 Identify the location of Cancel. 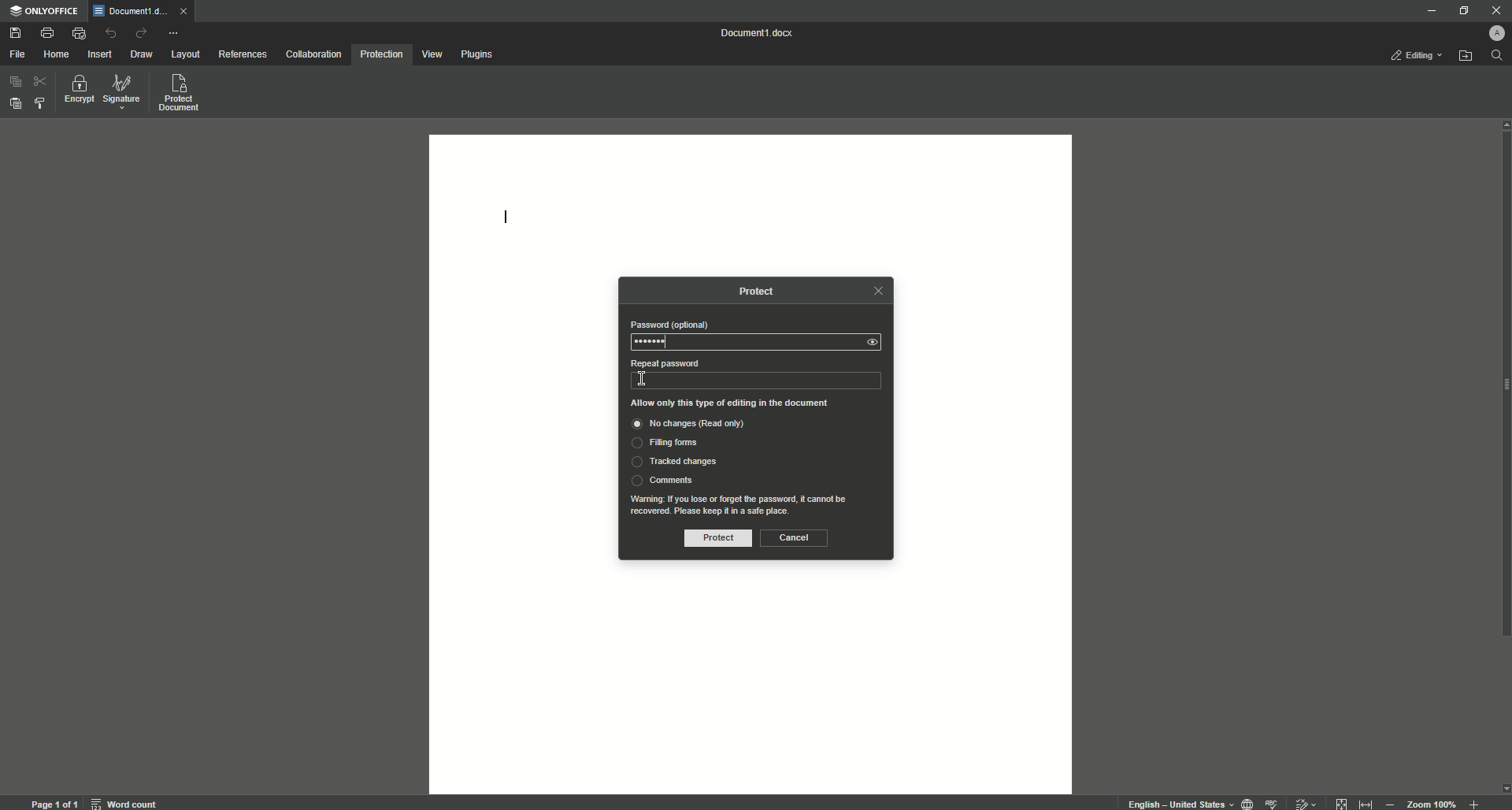
(794, 537).